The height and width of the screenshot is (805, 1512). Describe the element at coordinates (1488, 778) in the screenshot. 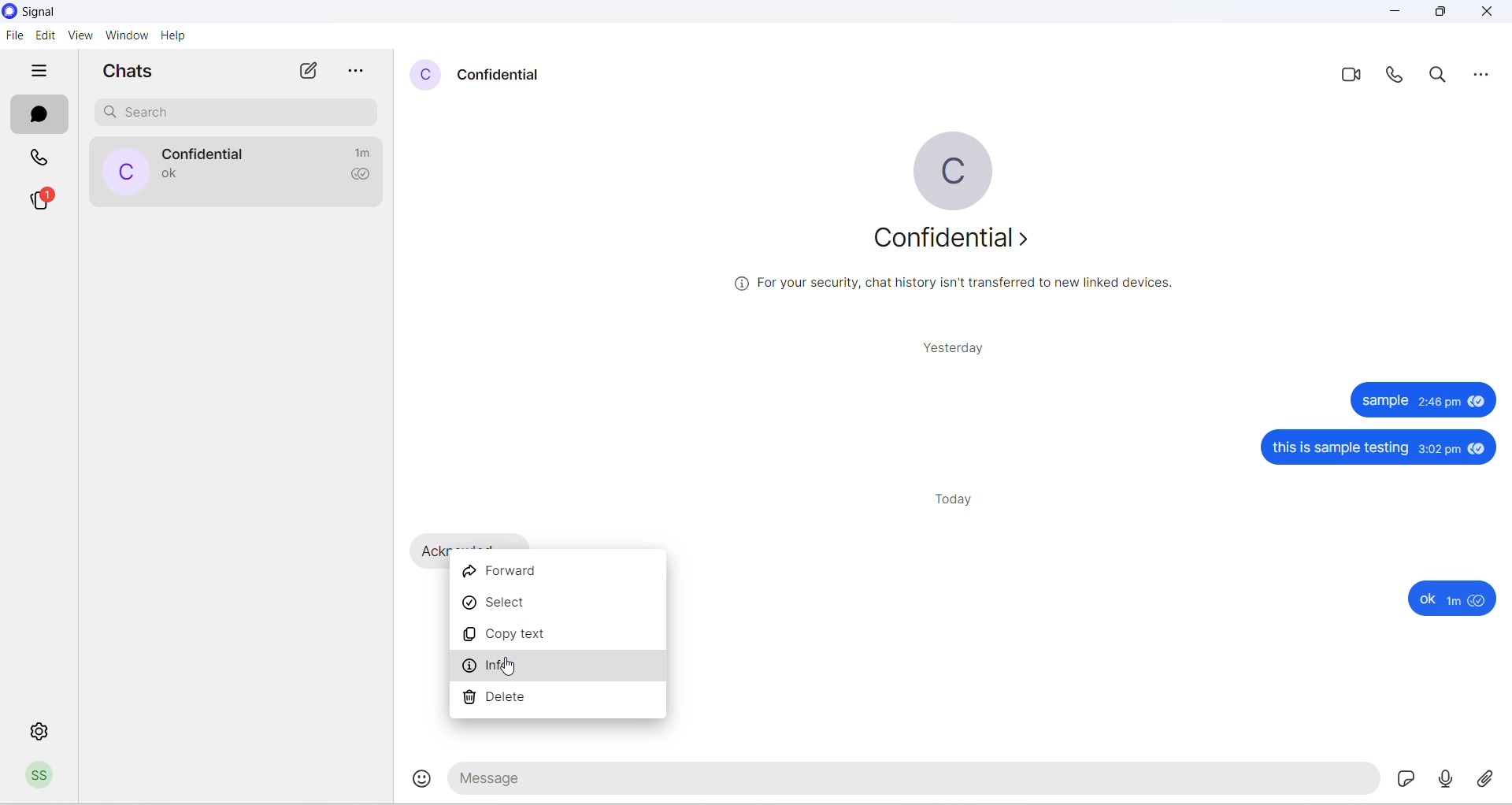

I see `share attachment` at that location.